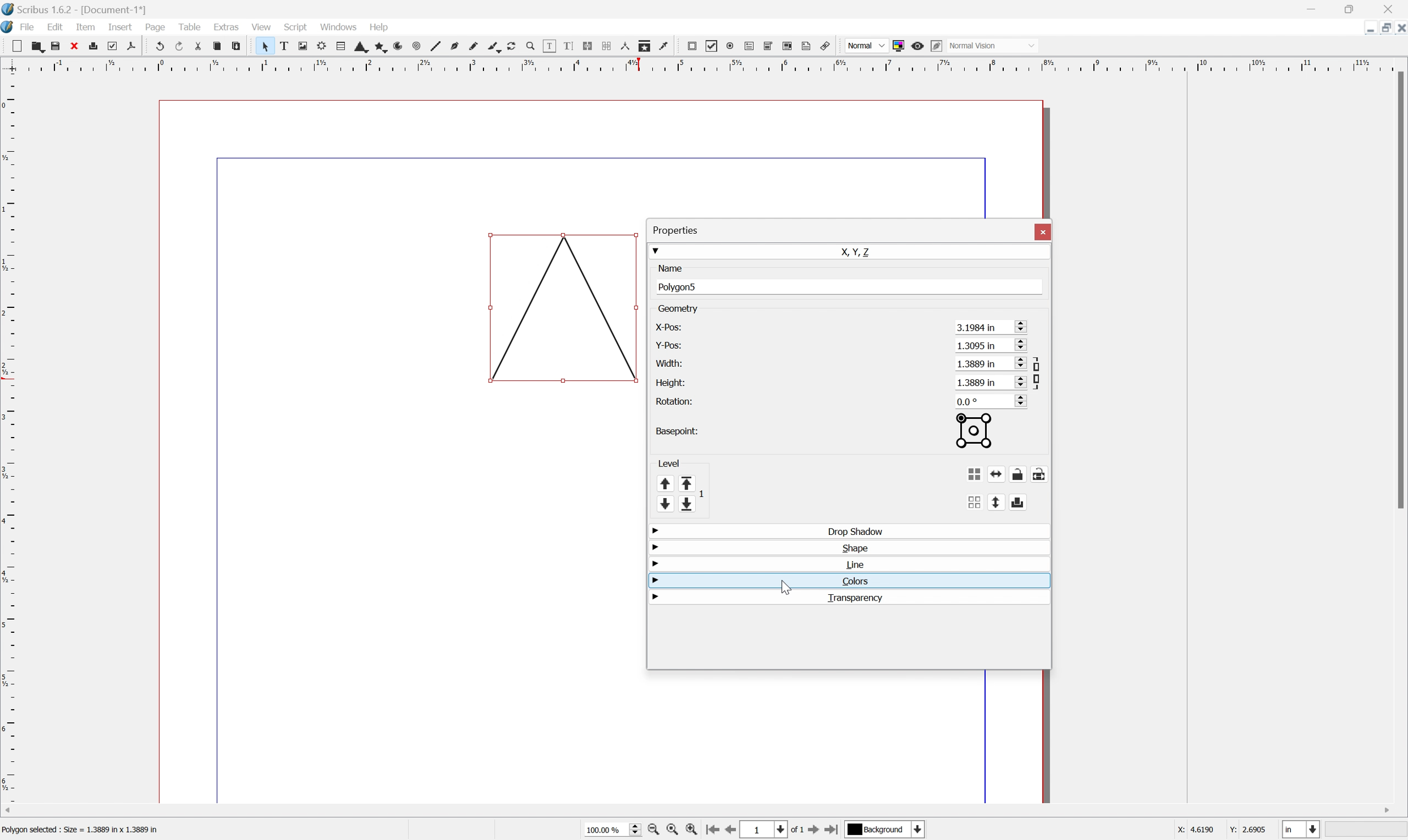 The width and height of the screenshot is (1408, 840). Describe the element at coordinates (216, 46) in the screenshot. I see `Copy` at that location.